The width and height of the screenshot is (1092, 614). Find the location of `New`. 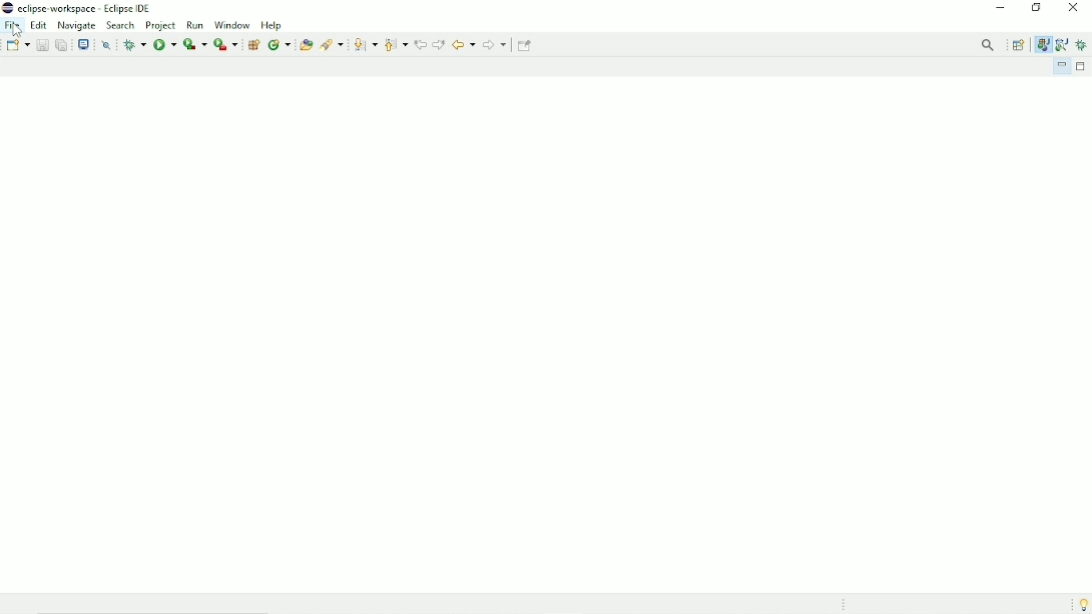

New is located at coordinates (17, 43).